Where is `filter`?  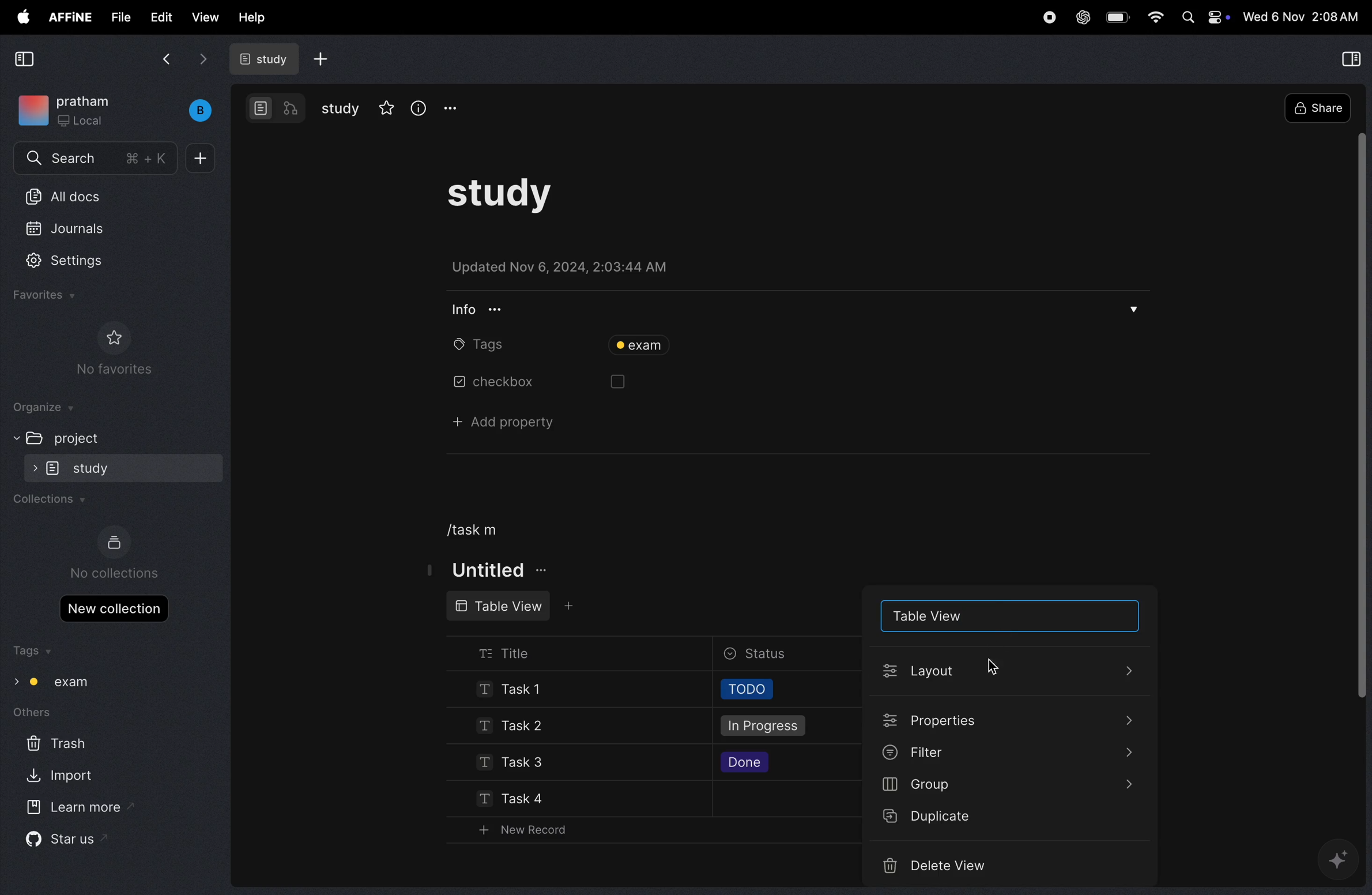 filter is located at coordinates (1008, 752).